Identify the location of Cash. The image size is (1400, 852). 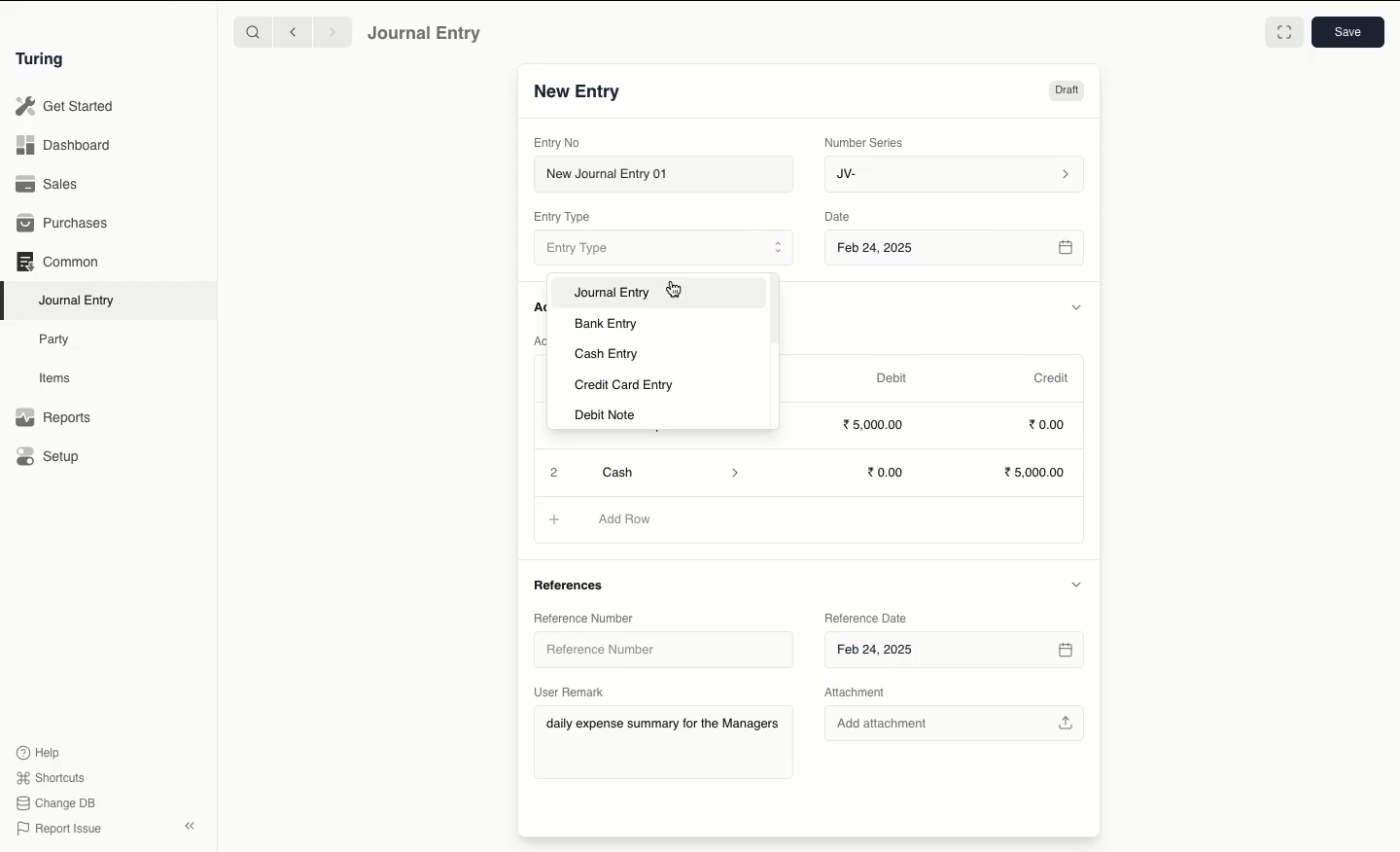
(666, 471).